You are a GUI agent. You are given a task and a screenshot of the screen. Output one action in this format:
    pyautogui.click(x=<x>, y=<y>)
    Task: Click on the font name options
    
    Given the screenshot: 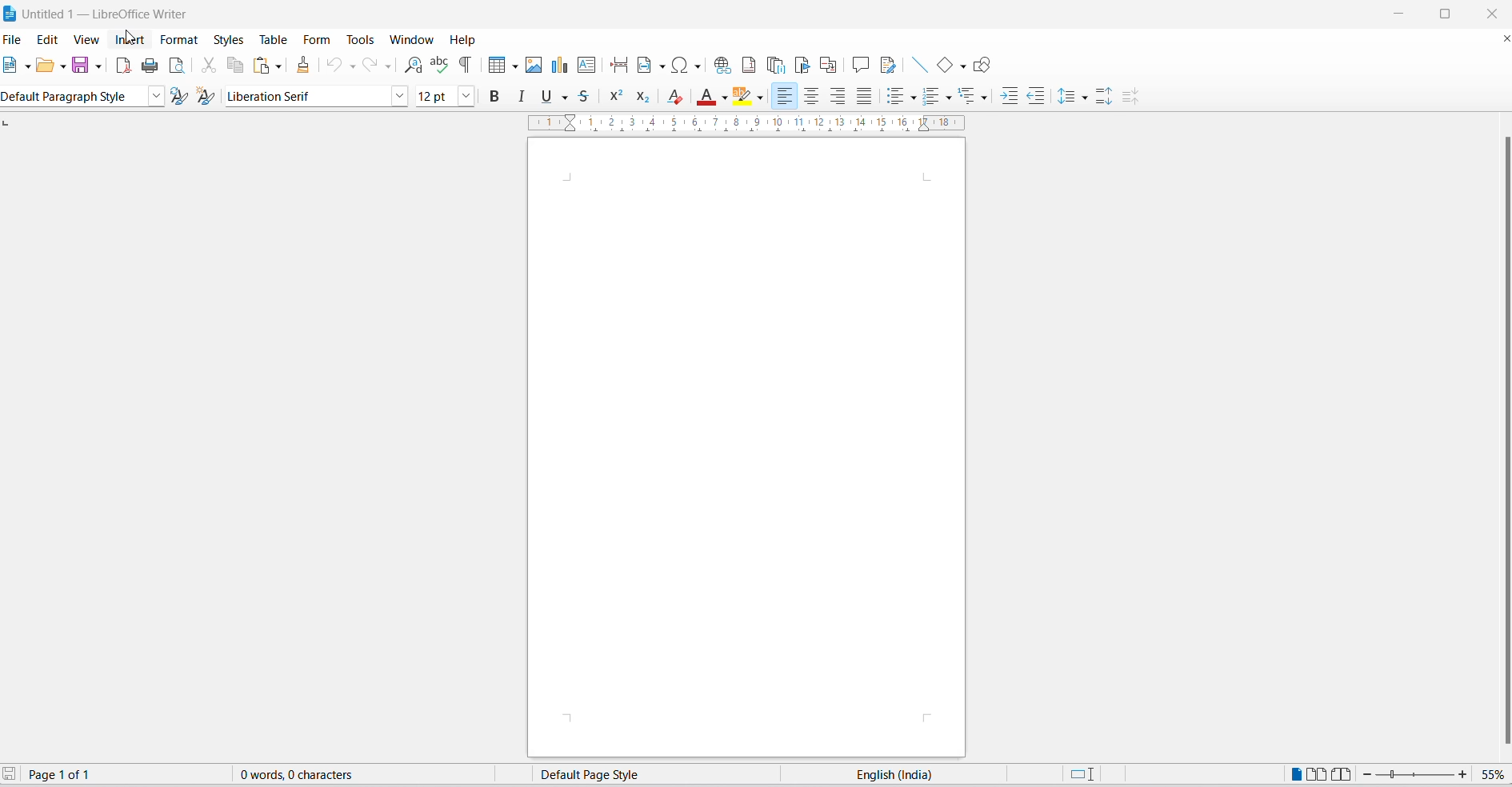 What is the action you would take?
    pyautogui.click(x=398, y=95)
    